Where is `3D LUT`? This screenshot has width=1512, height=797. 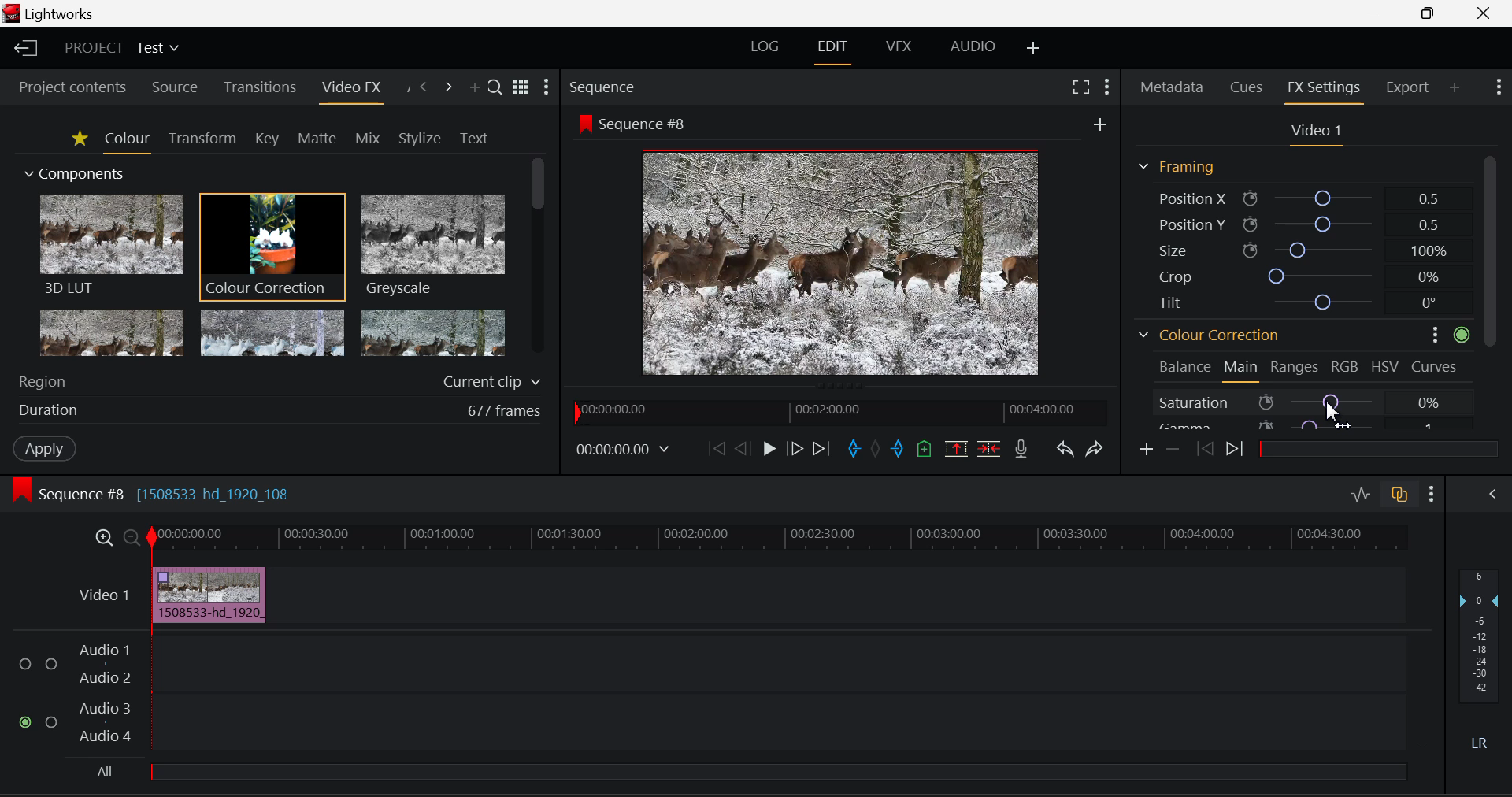 3D LUT is located at coordinates (110, 243).